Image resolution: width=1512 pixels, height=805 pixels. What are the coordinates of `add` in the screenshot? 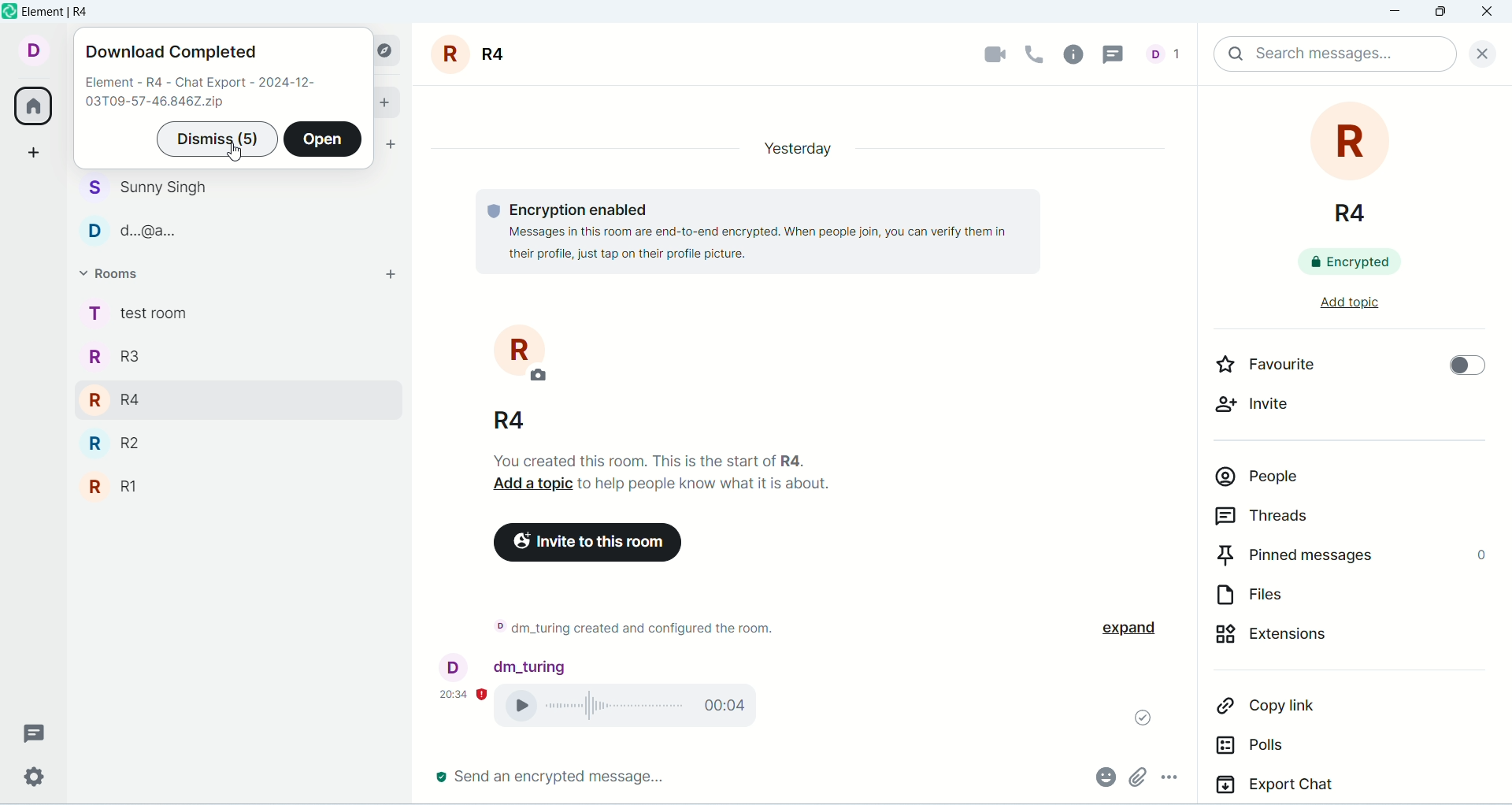 It's located at (387, 100).